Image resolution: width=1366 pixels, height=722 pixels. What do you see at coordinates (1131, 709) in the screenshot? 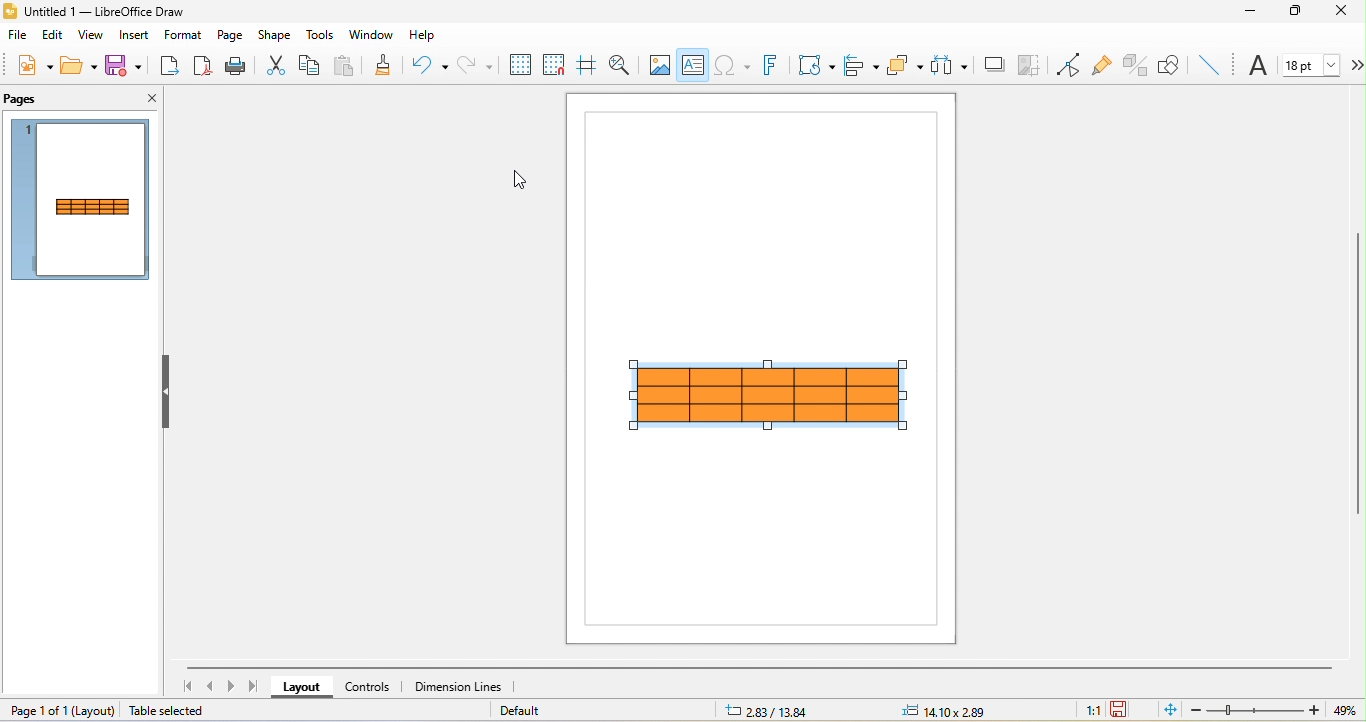
I see `the document has not been modified since the last save` at bounding box center [1131, 709].